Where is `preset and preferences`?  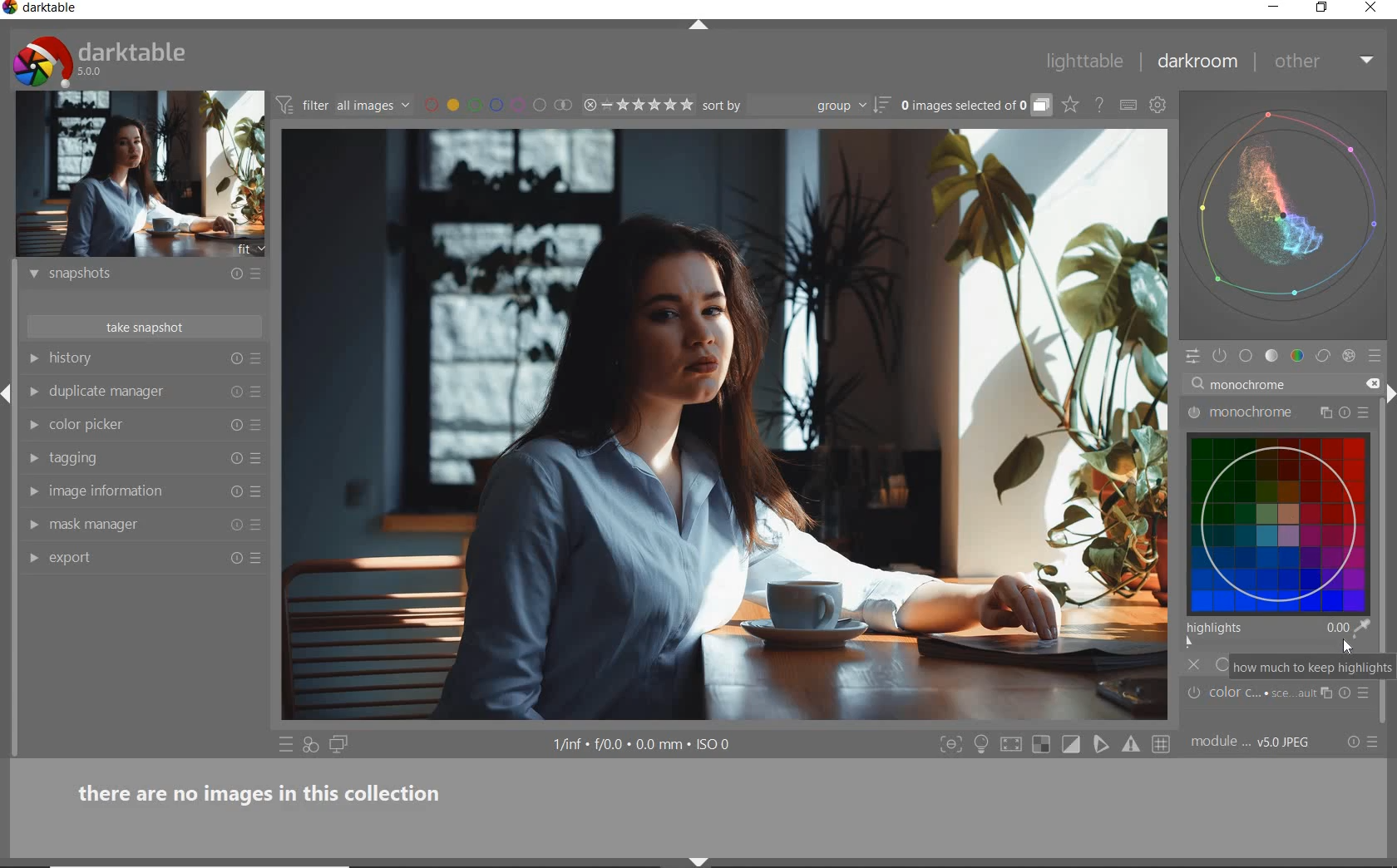
preset and preferences is located at coordinates (259, 558).